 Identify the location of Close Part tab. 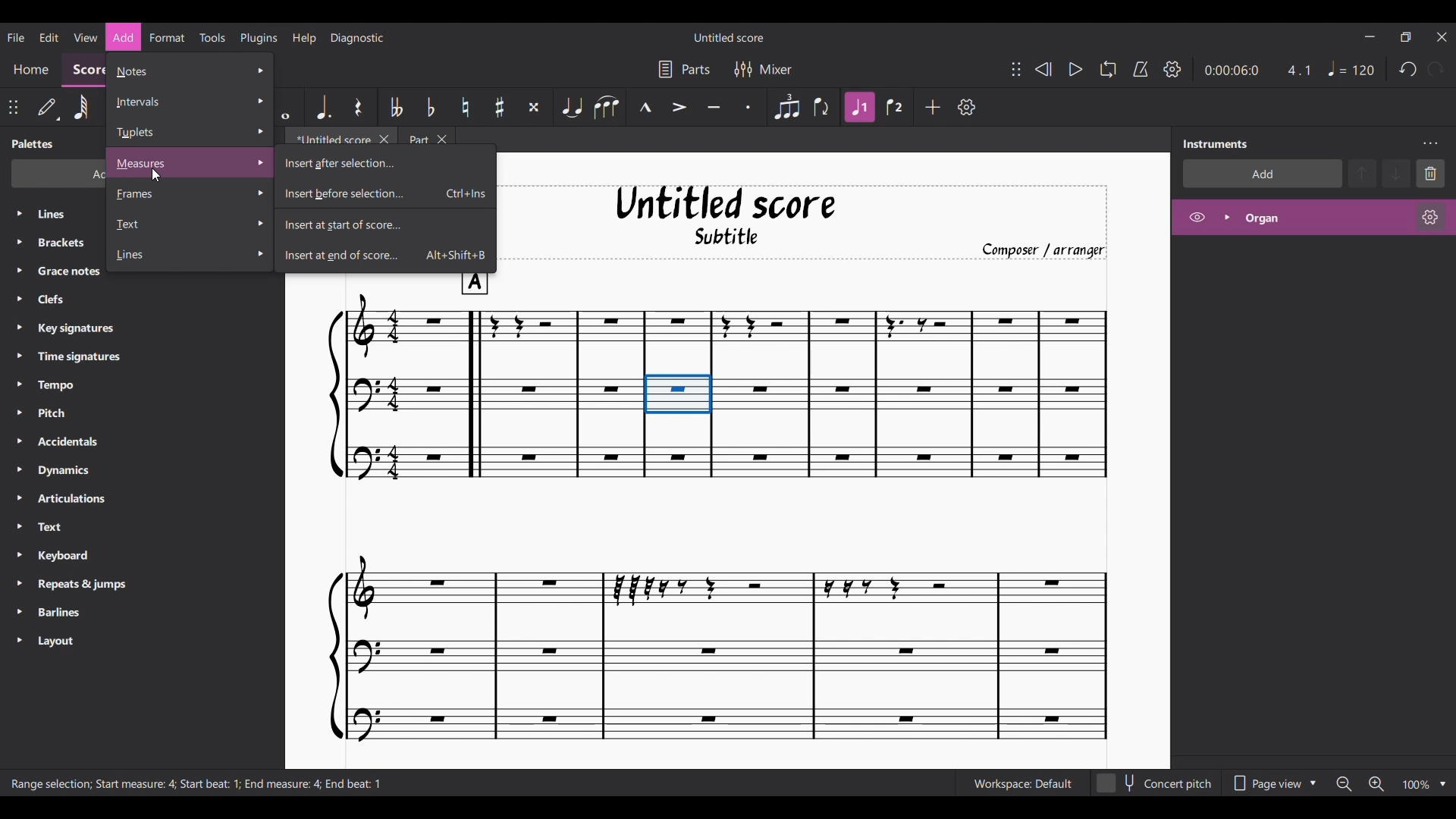
(442, 140).